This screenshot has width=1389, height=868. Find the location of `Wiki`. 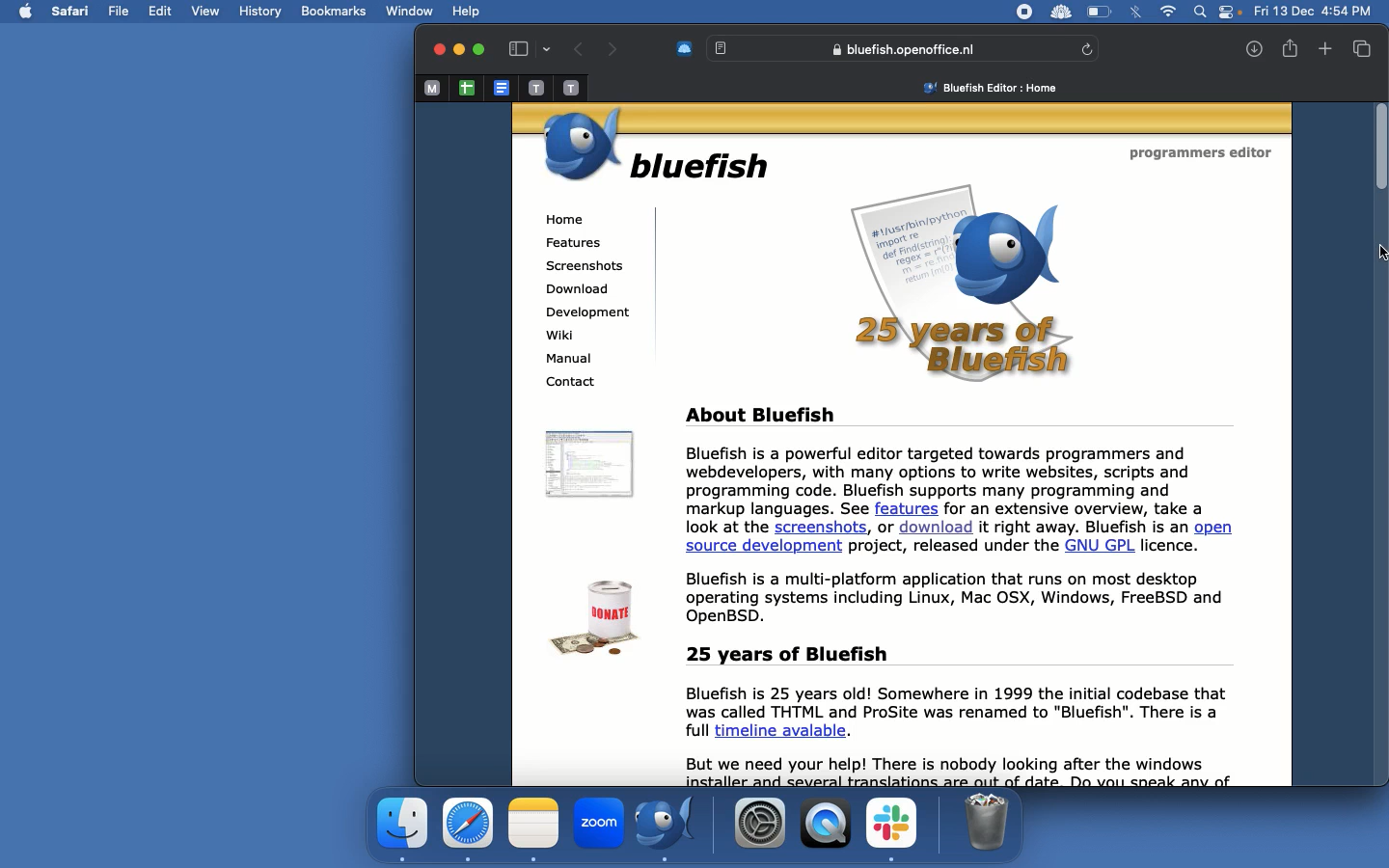

Wiki is located at coordinates (554, 335).